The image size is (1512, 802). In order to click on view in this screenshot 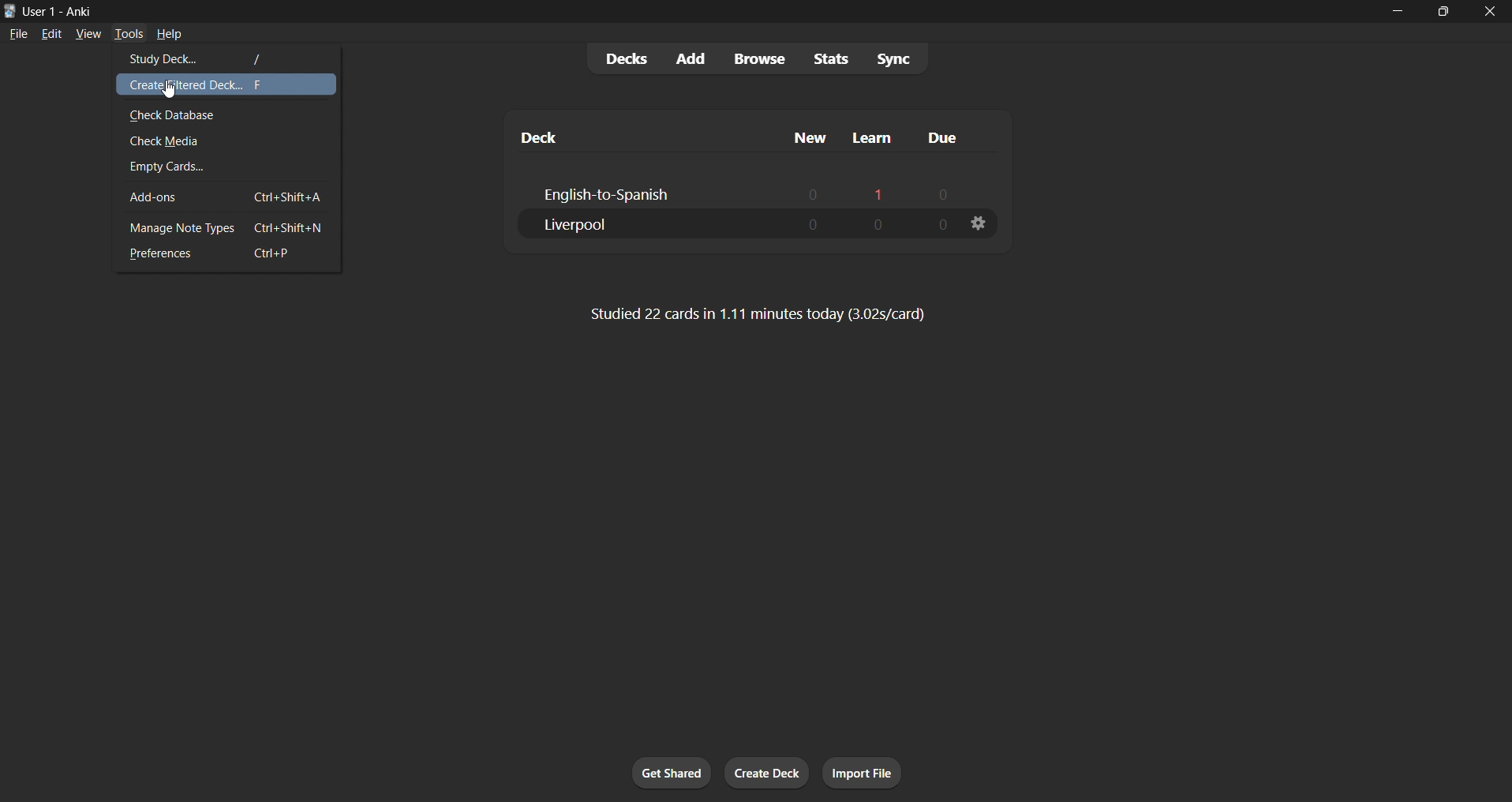, I will do `click(84, 36)`.